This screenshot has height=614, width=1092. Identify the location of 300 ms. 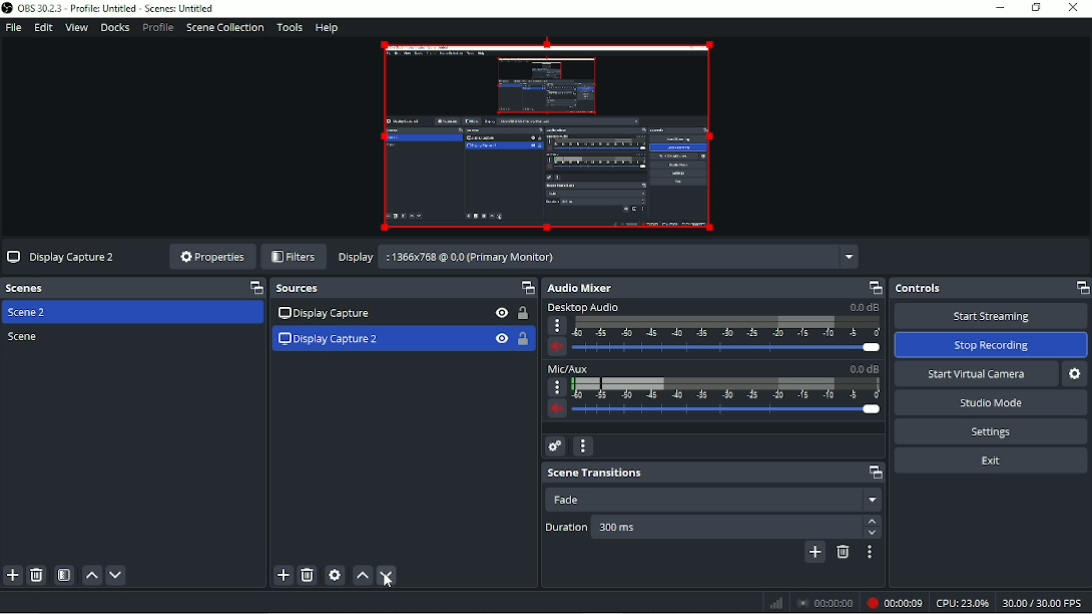
(654, 528).